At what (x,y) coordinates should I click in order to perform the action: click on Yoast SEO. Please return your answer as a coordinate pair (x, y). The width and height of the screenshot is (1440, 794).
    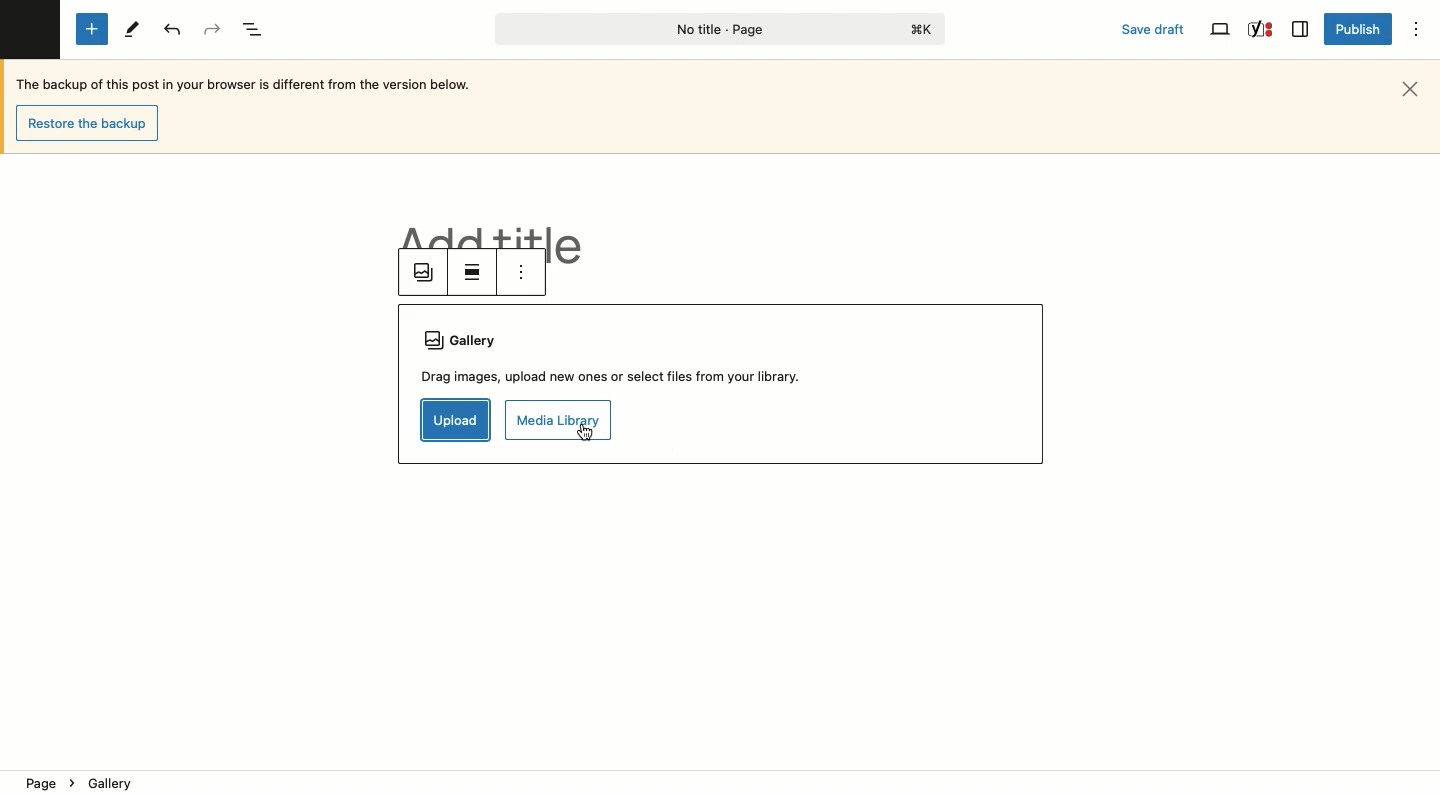
    Looking at the image, I should click on (1261, 30).